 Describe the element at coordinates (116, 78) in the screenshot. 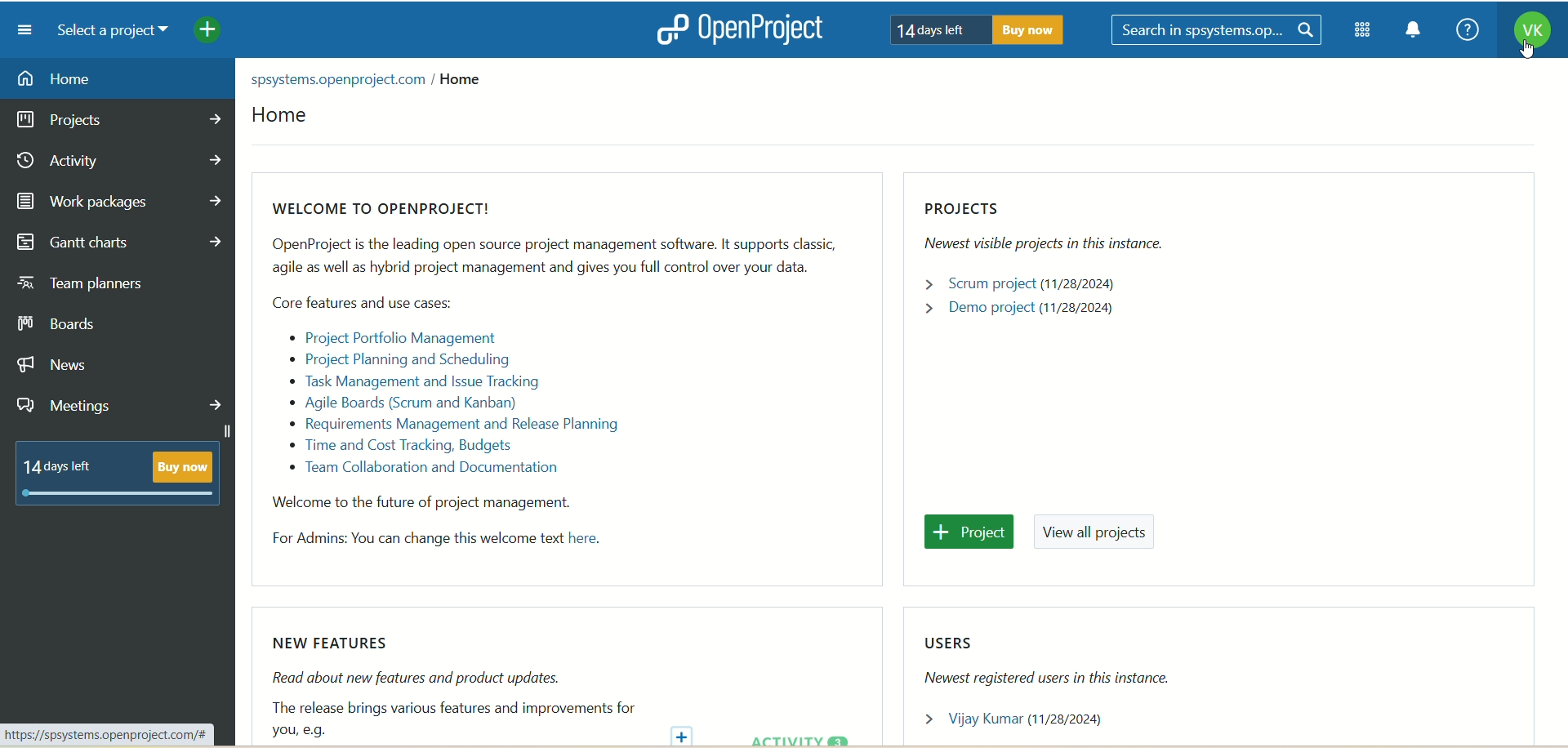

I see `home` at that location.